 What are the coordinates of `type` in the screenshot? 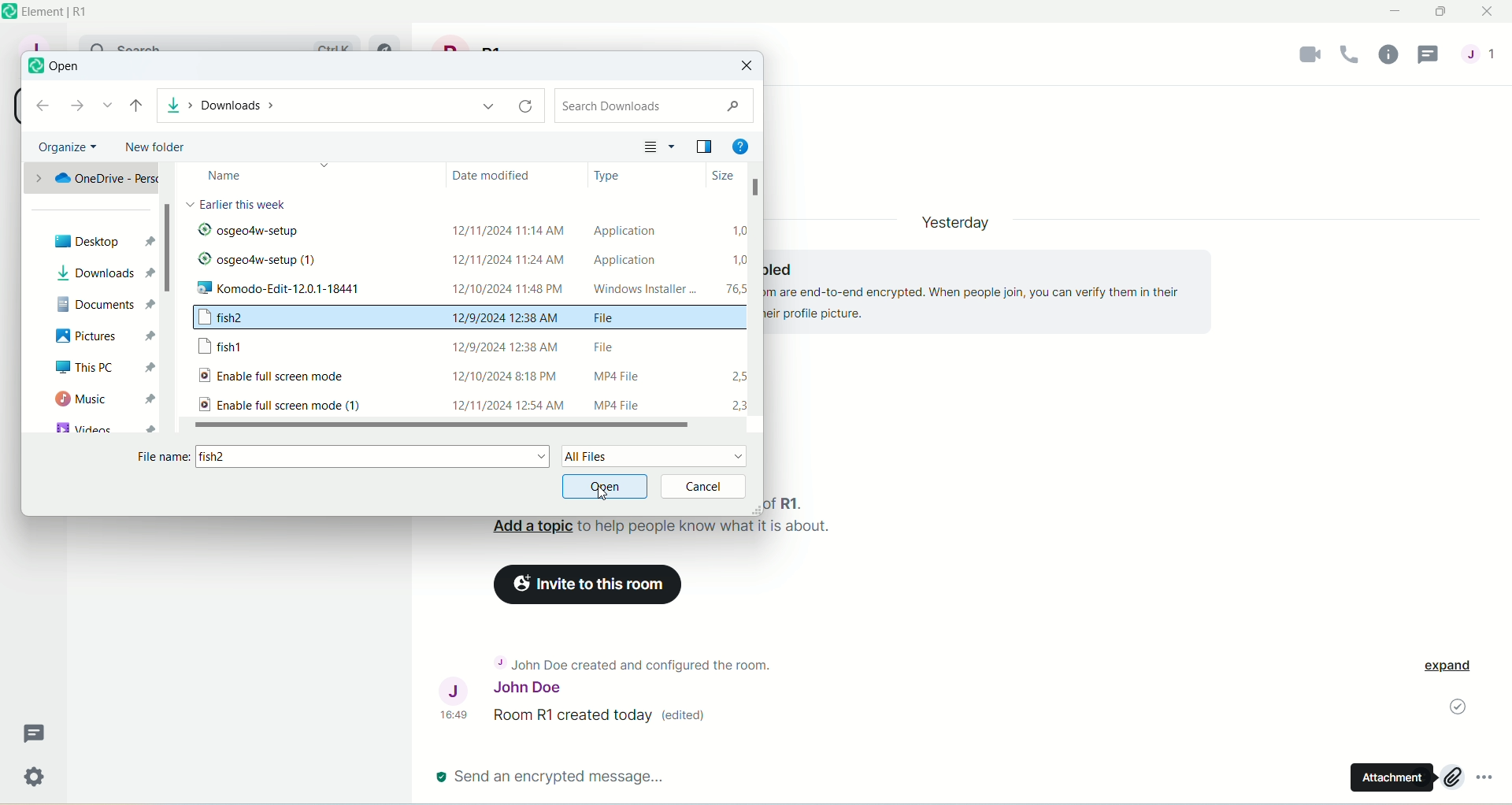 It's located at (607, 175).